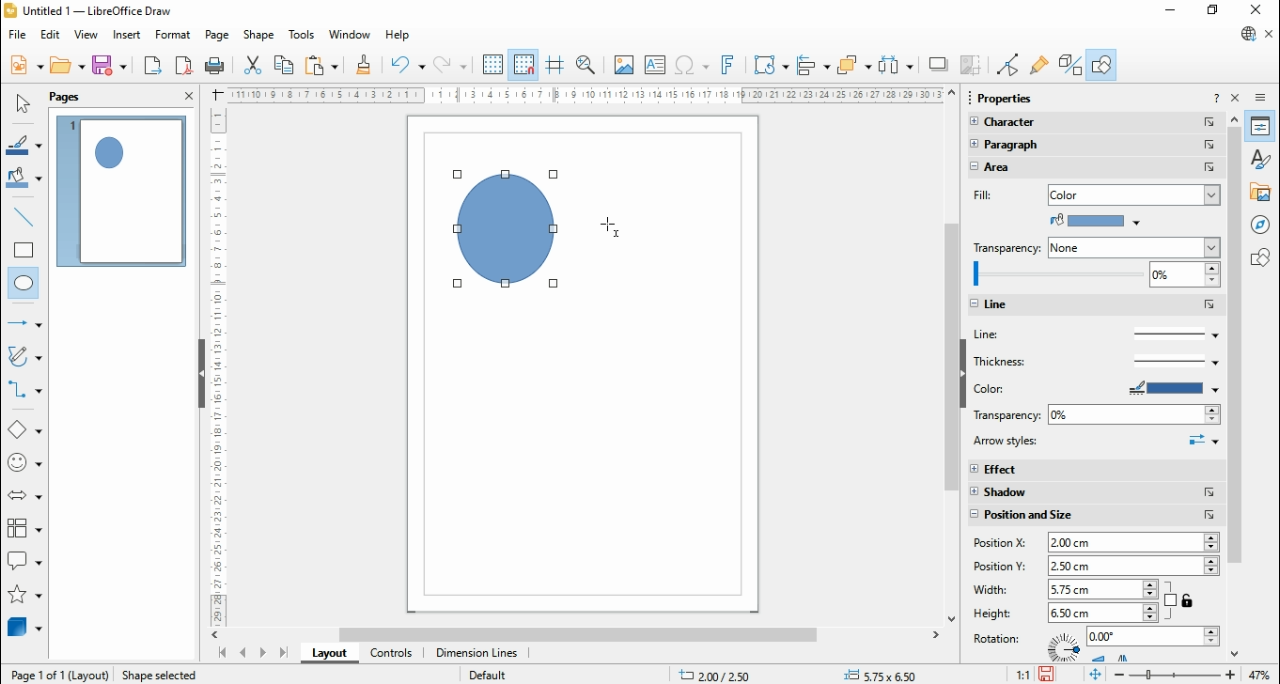 The height and width of the screenshot is (684, 1280). Describe the element at coordinates (25, 390) in the screenshot. I see `connectors` at that location.